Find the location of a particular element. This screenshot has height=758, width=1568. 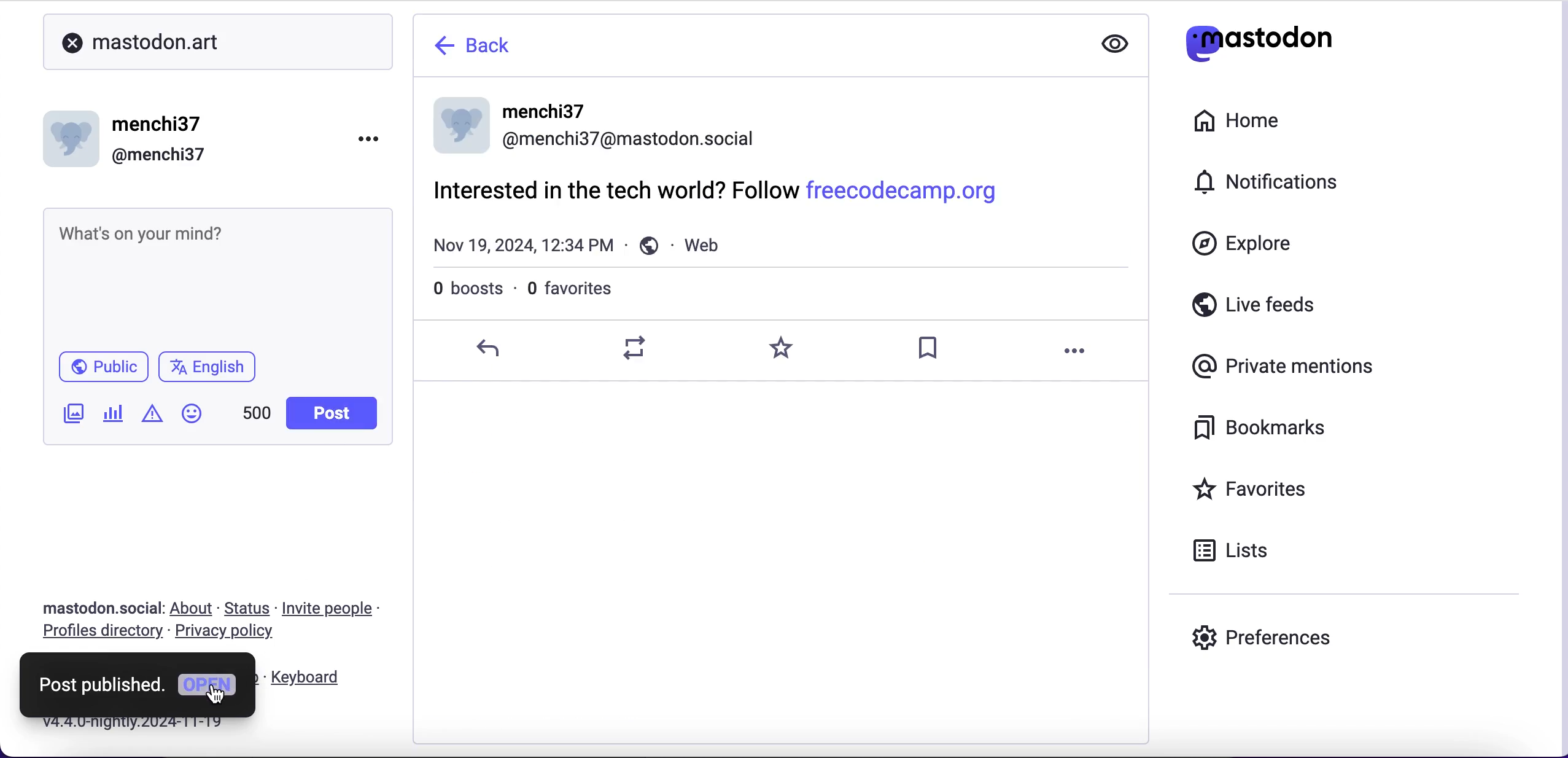

add warning is located at coordinates (156, 418).